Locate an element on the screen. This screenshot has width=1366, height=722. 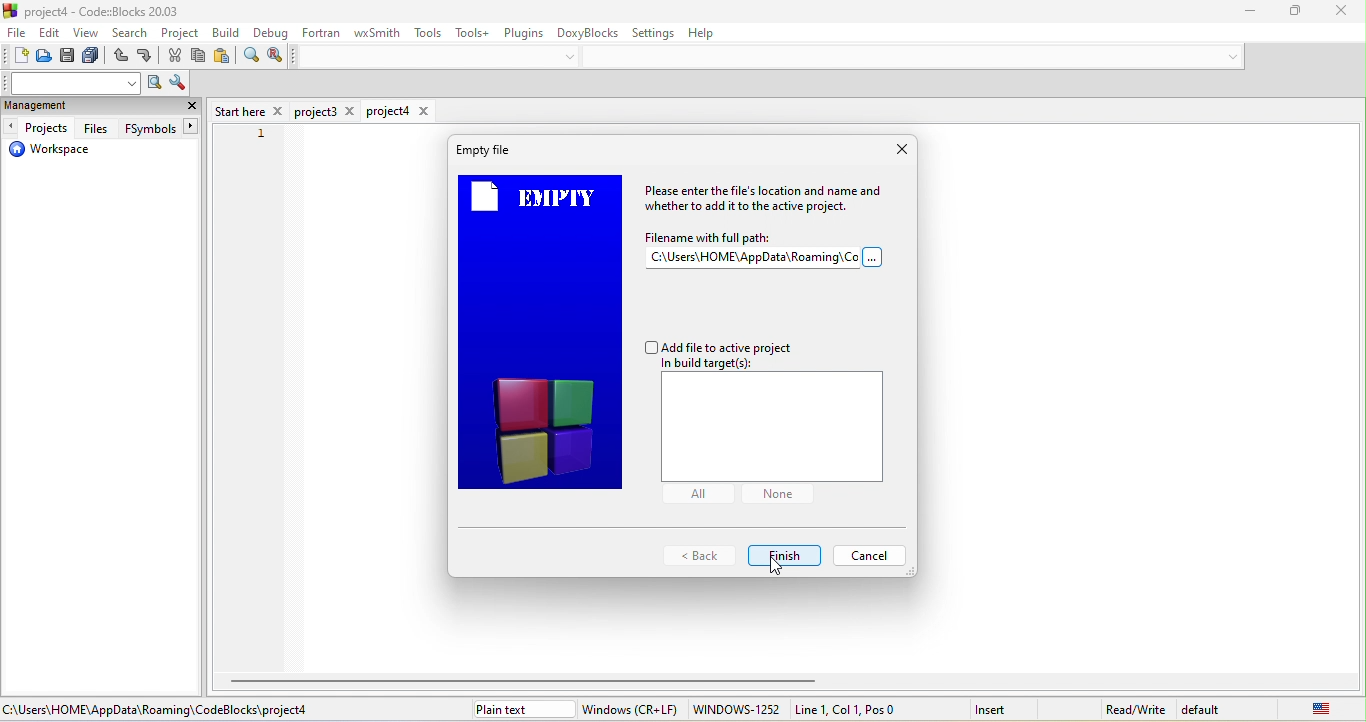
save everything is located at coordinates (94, 58).